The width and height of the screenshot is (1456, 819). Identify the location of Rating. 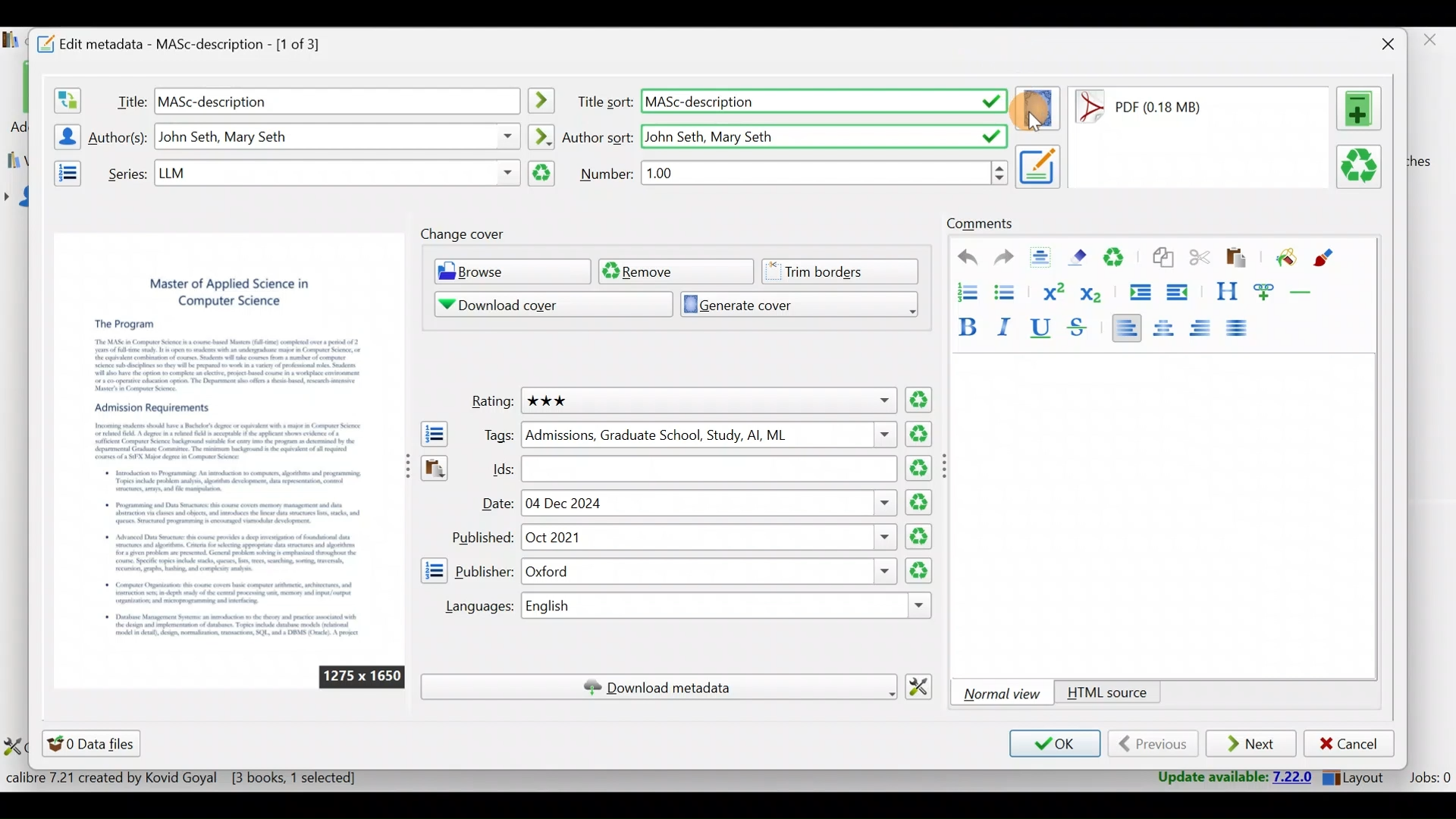
(488, 403).